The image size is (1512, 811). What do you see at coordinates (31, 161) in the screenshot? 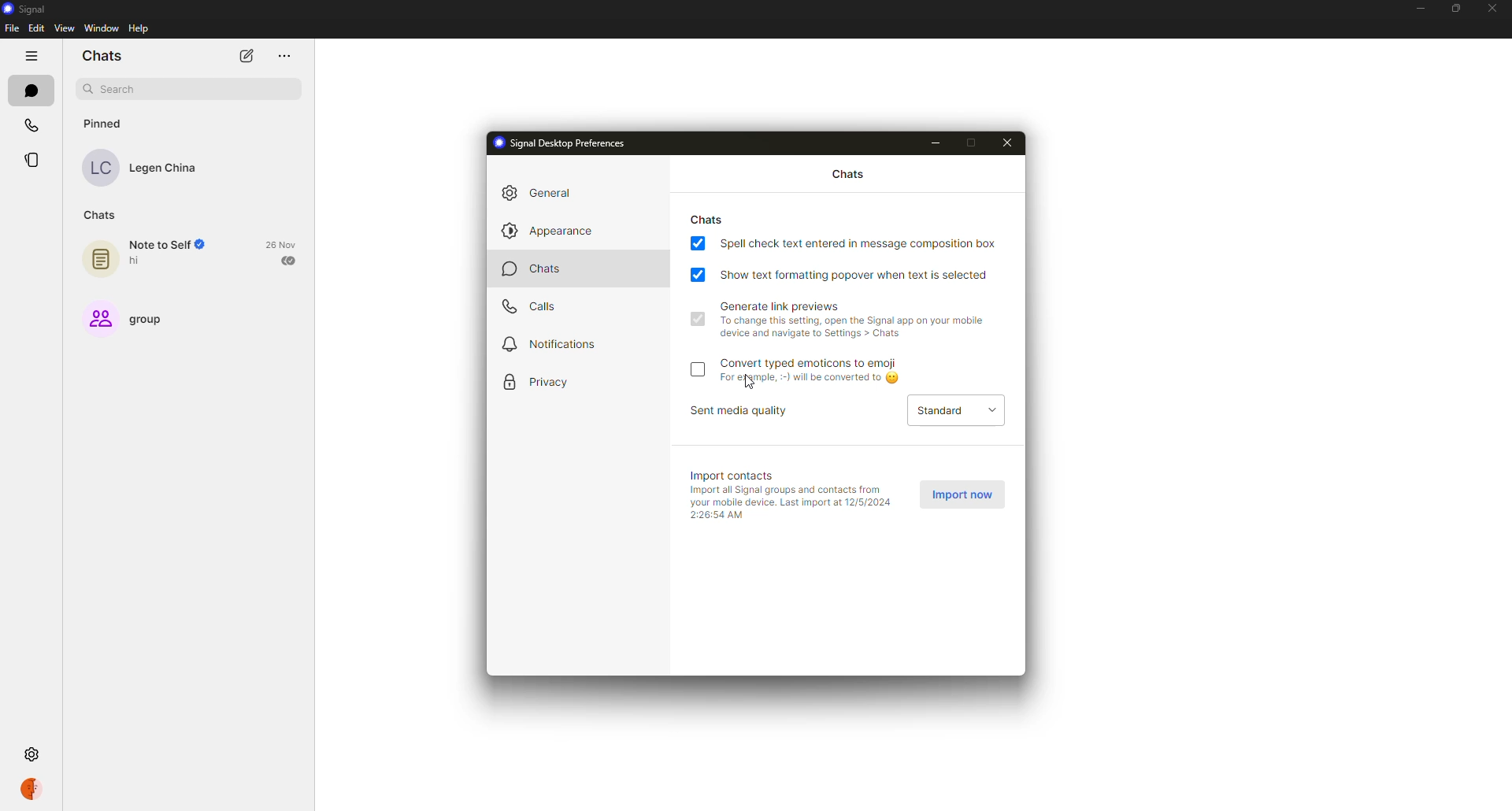
I see `stories` at bounding box center [31, 161].